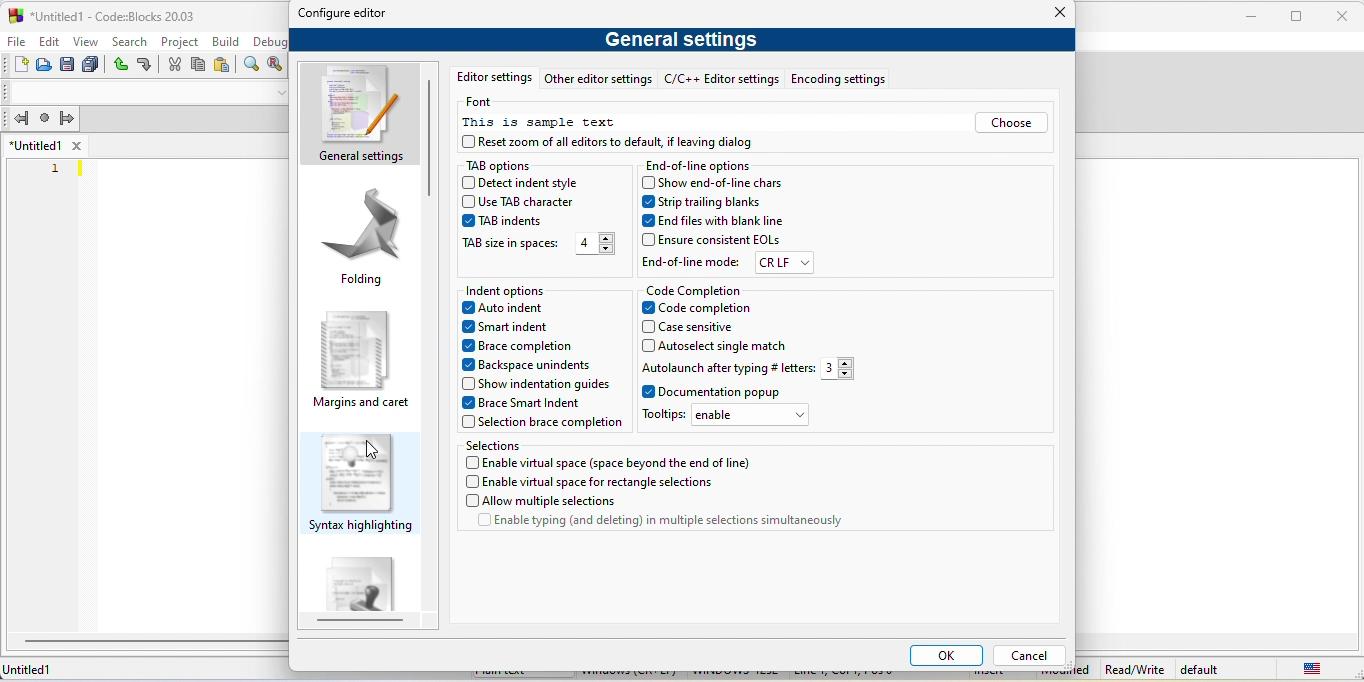  Describe the element at coordinates (1256, 16) in the screenshot. I see `minimize` at that location.